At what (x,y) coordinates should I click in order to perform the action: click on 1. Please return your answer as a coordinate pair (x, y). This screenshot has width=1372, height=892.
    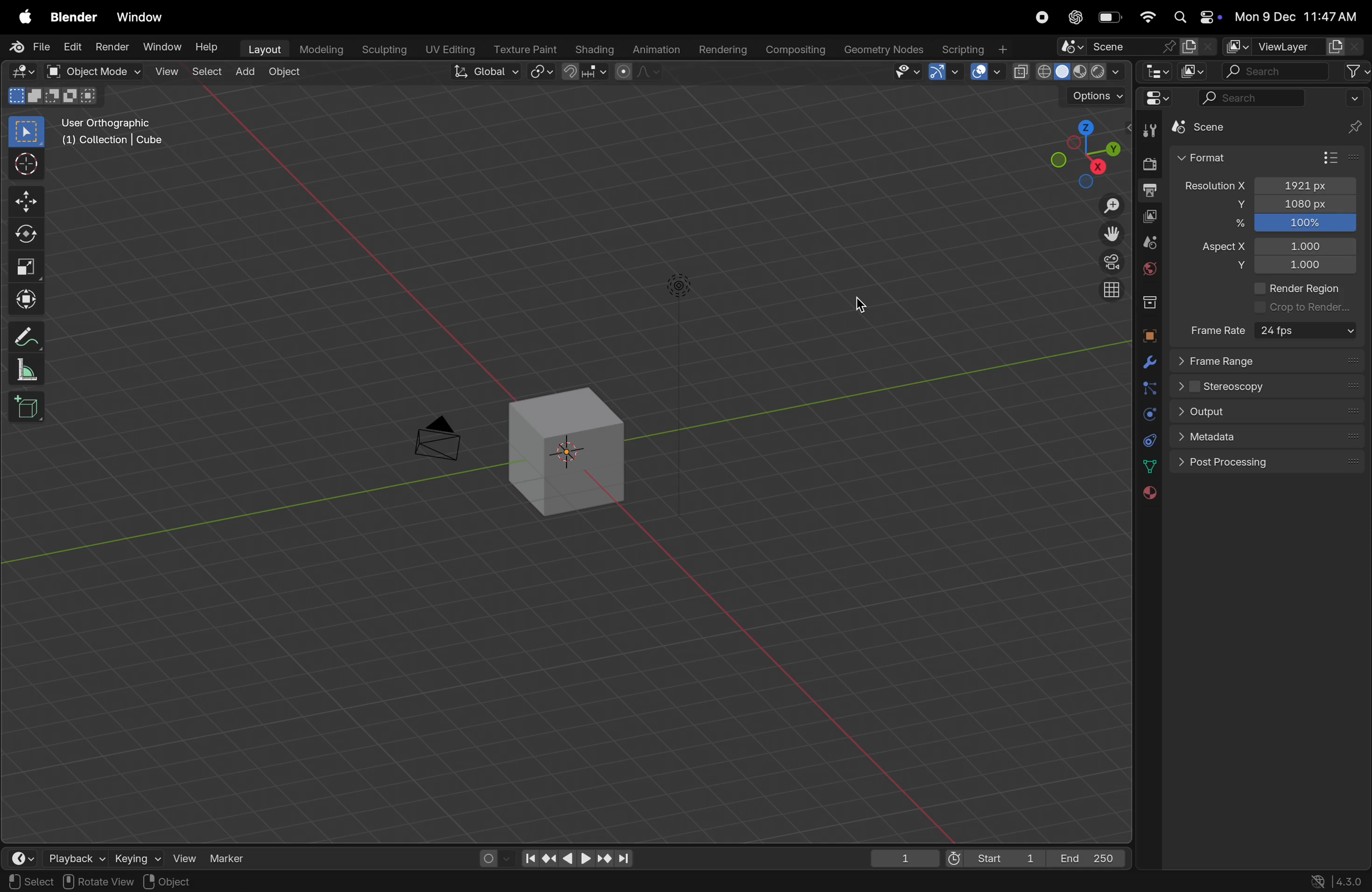
    Looking at the image, I should click on (1309, 245).